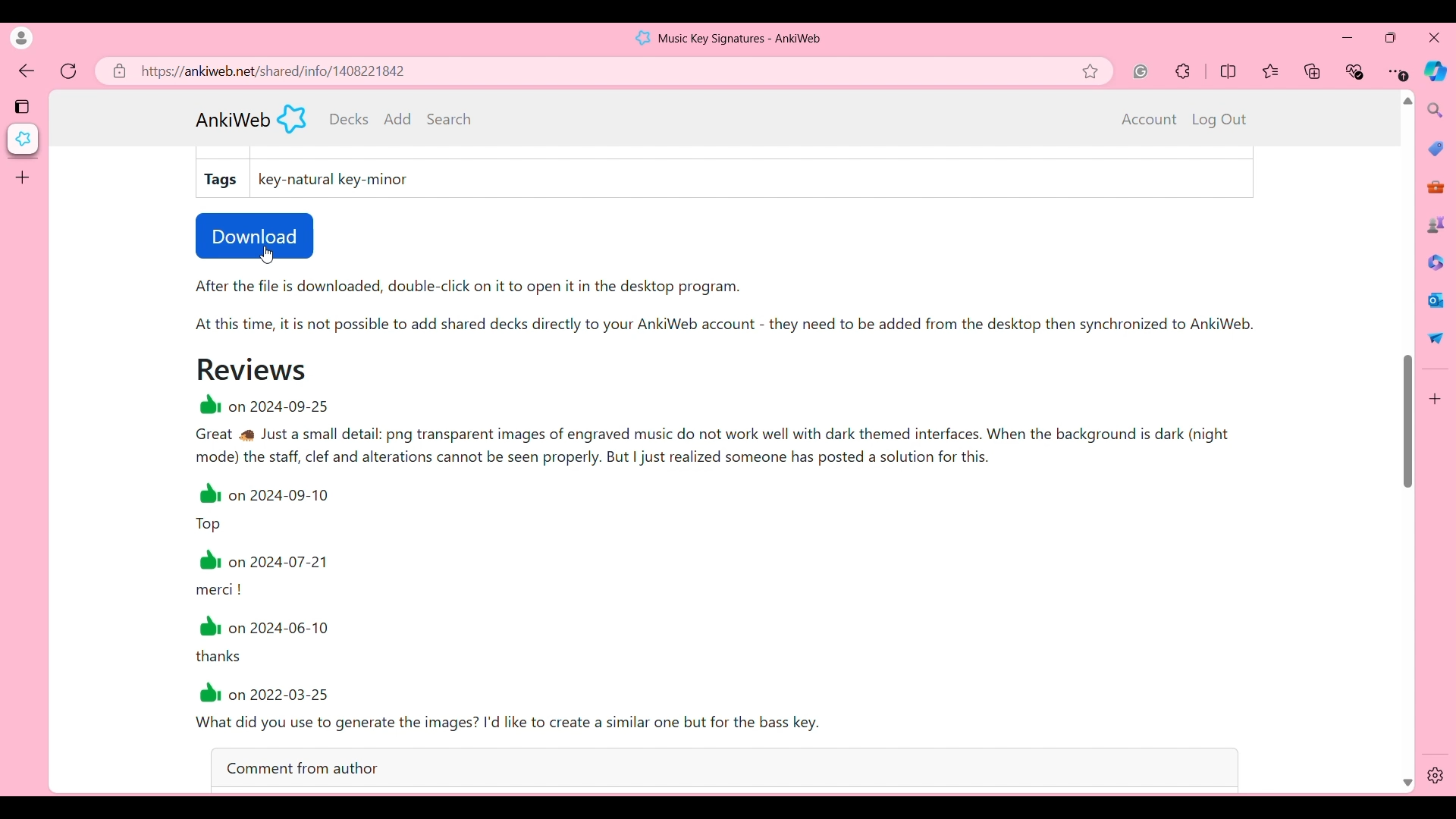 This screenshot has width=1456, height=819. Describe the element at coordinates (748, 567) in the screenshot. I see `@1 on 2024-09-25

Great Just a small detail: png transparent images of engraved music do not work well with dark themed interfaces. When the background is dark (night
mode) the staff, clef and alterations cannot be seen properly. But | just realized someone has posted a solution for this.
1 on 2024-09-10

Top

1 on 2024-07-21

merci !

1 on 2024-06-10

thanks

#1 on 2022-03-25

What did you use to generate the images? I'd like to create a similar one but for the bass key.` at that location.